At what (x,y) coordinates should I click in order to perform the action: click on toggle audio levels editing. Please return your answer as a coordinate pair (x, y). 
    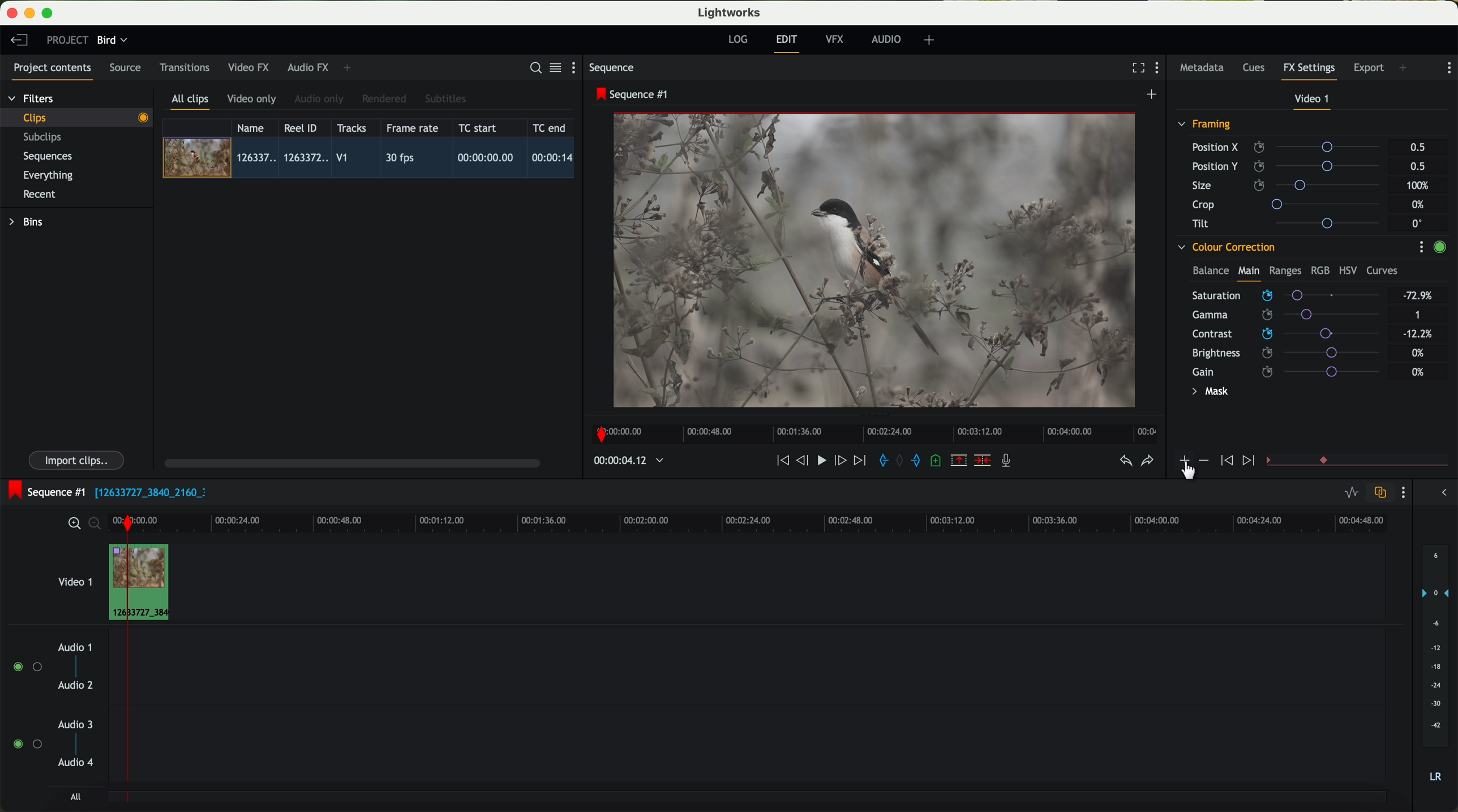
    Looking at the image, I should click on (1351, 494).